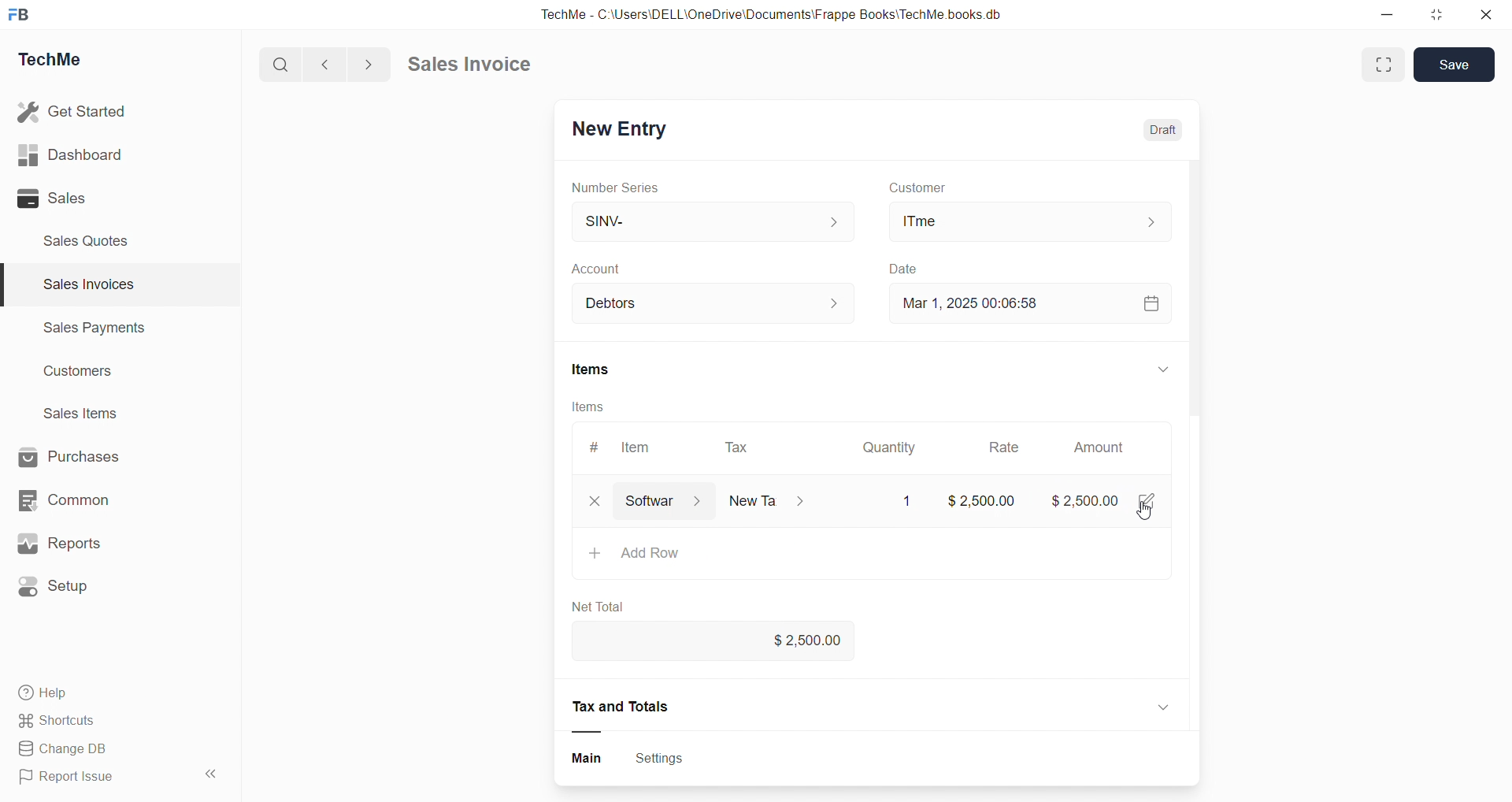 Image resolution: width=1512 pixels, height=802 pixels. I want to click on TechMe, so click(63, 62).